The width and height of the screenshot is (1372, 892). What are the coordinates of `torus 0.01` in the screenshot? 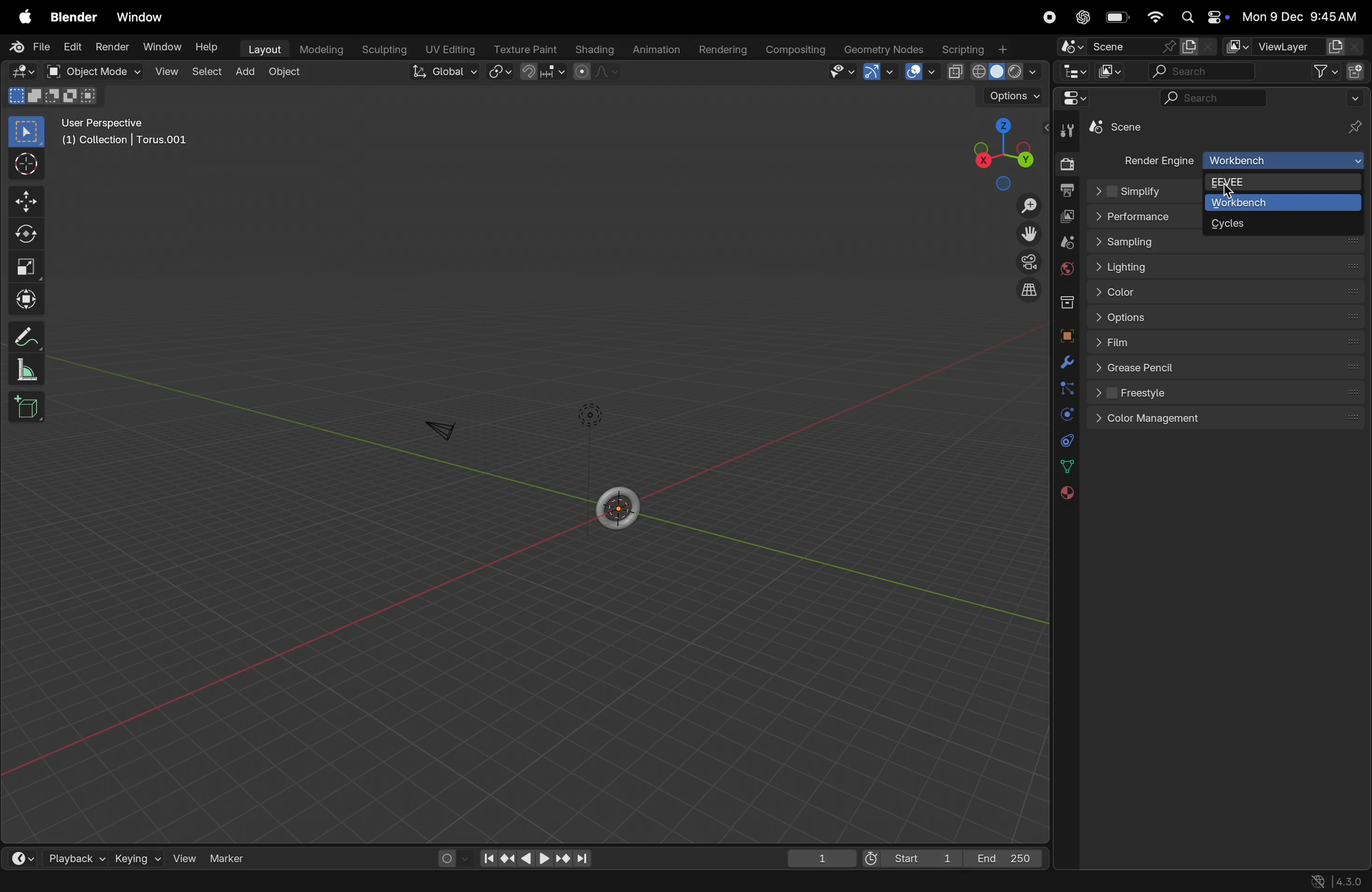 It's located at (1126, 129).